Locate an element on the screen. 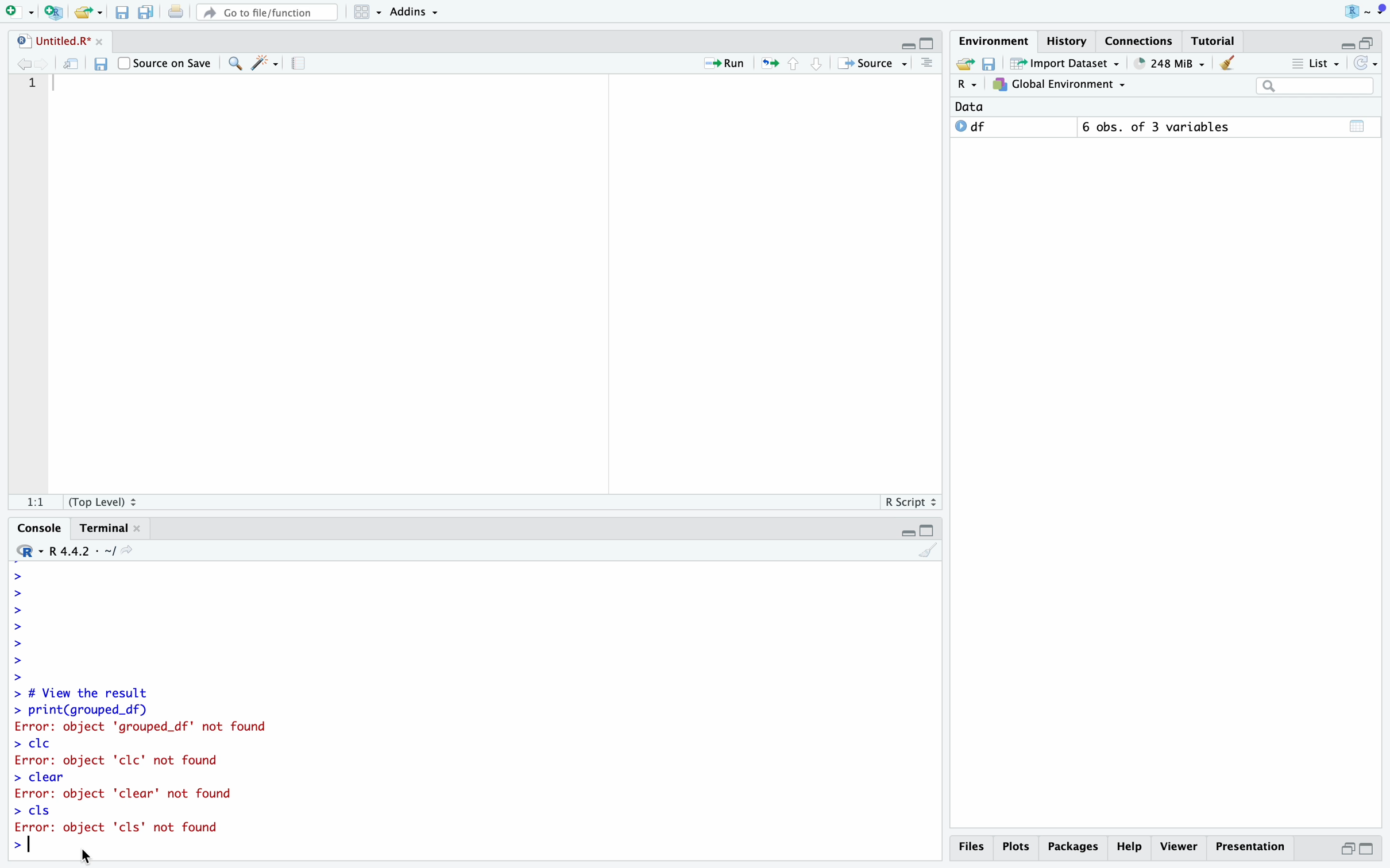 This screenshot has height=868, width=1390. Clear is located at coordinates (926, 550).